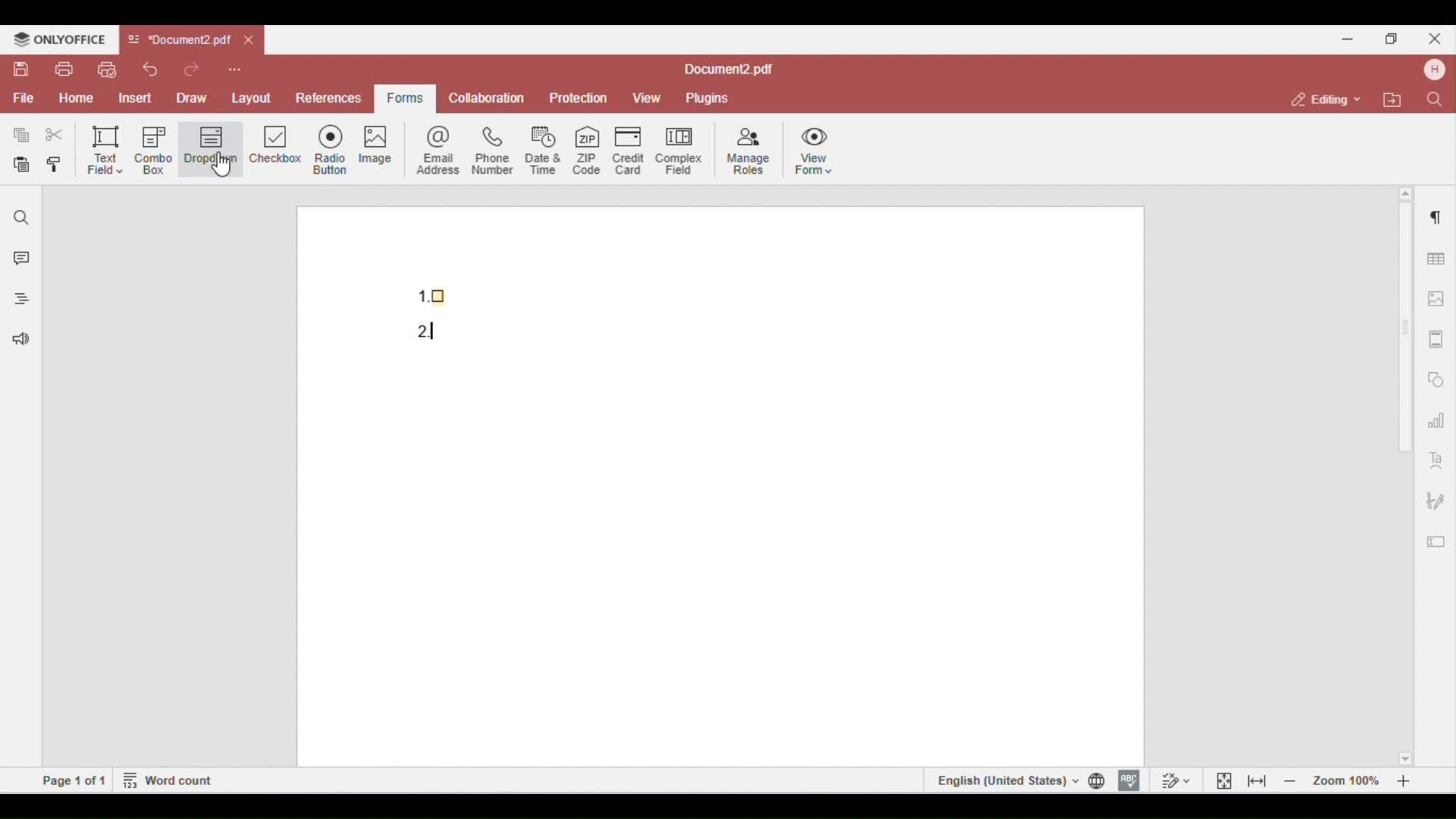  What do you see at coordinates (154, 150) in the screenshot?
I see `combo box` at bounding box center [154, 150].